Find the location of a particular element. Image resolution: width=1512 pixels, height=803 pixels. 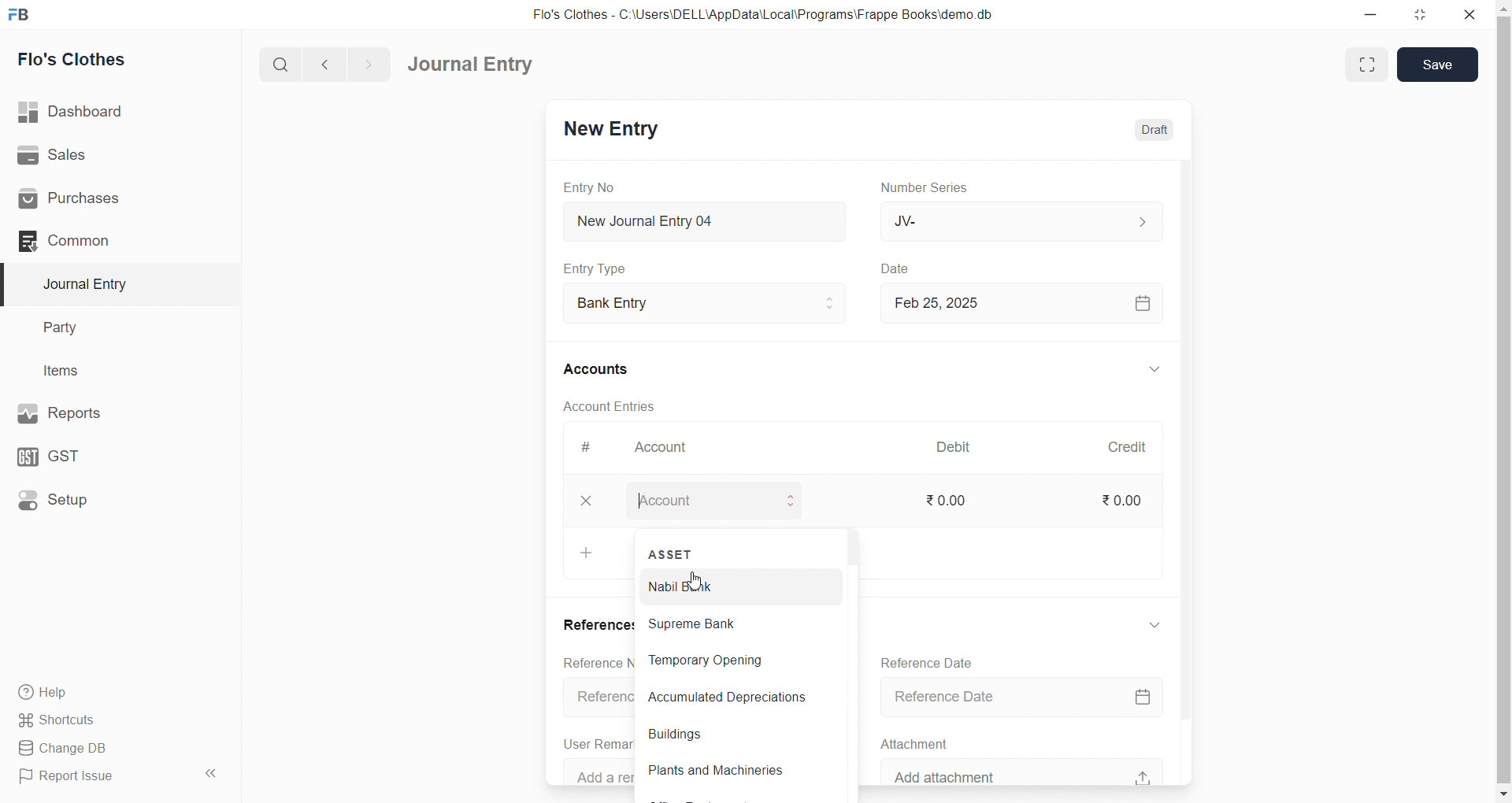

scroll bar is located at coordinates (1503, 402).